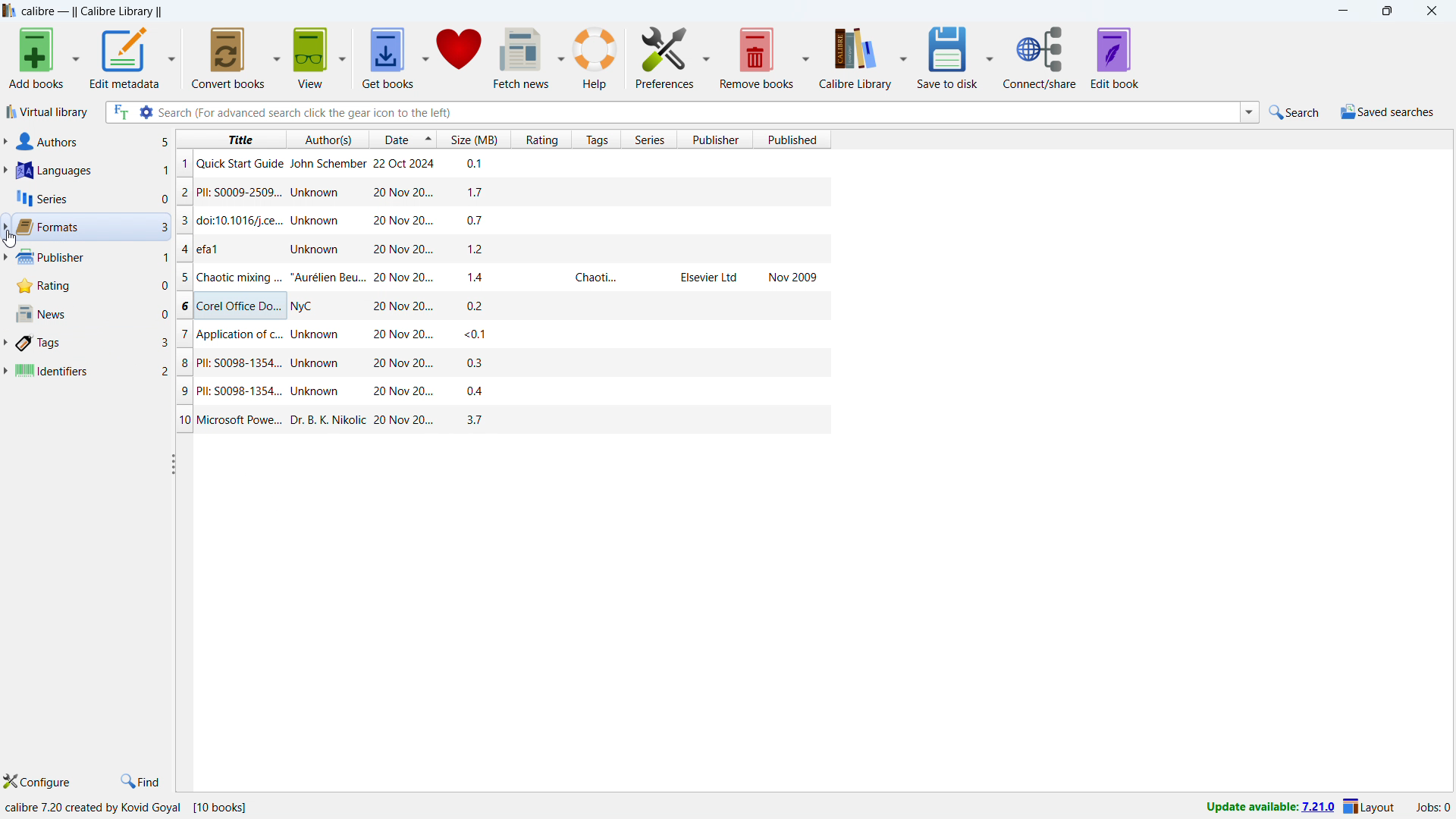 The width and height of the screenshot is (1456, 819). Describe the element at coordinates (561, 57) in the screenshot. I see `fetch news options` at that location.